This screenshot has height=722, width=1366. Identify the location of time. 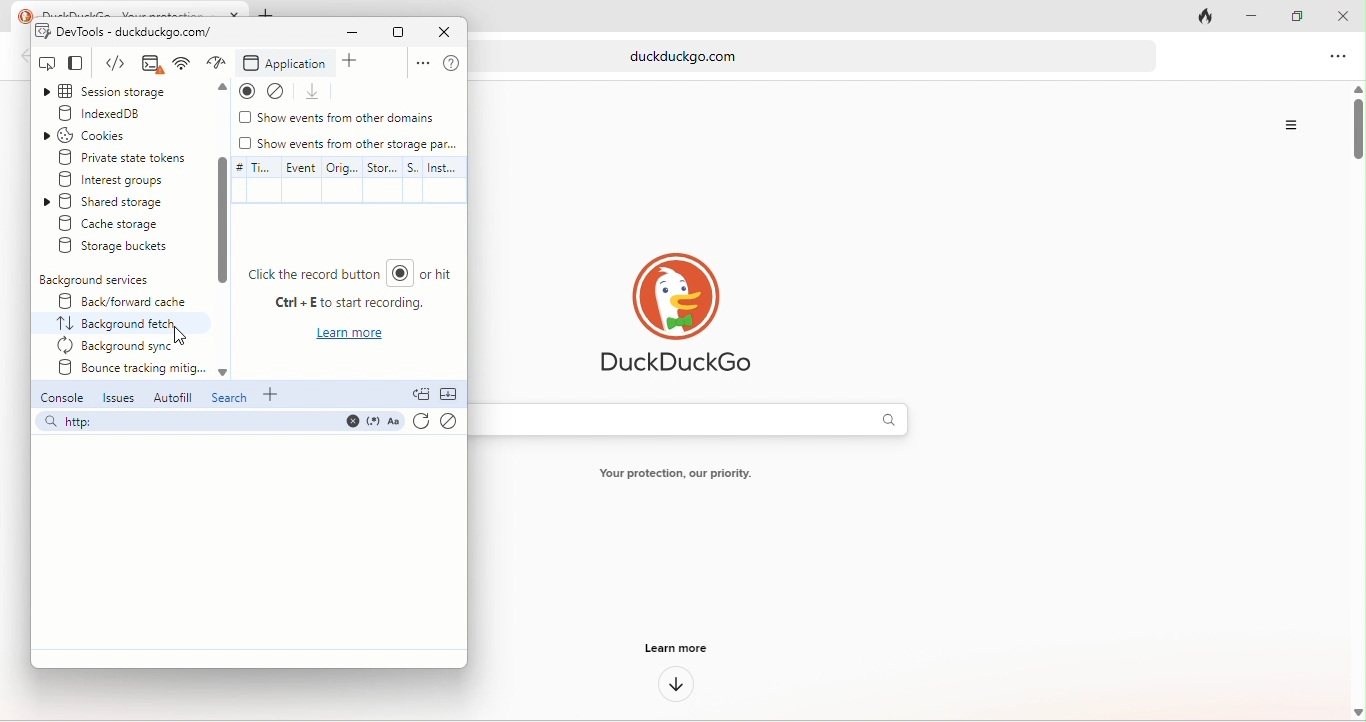
(251, 180).